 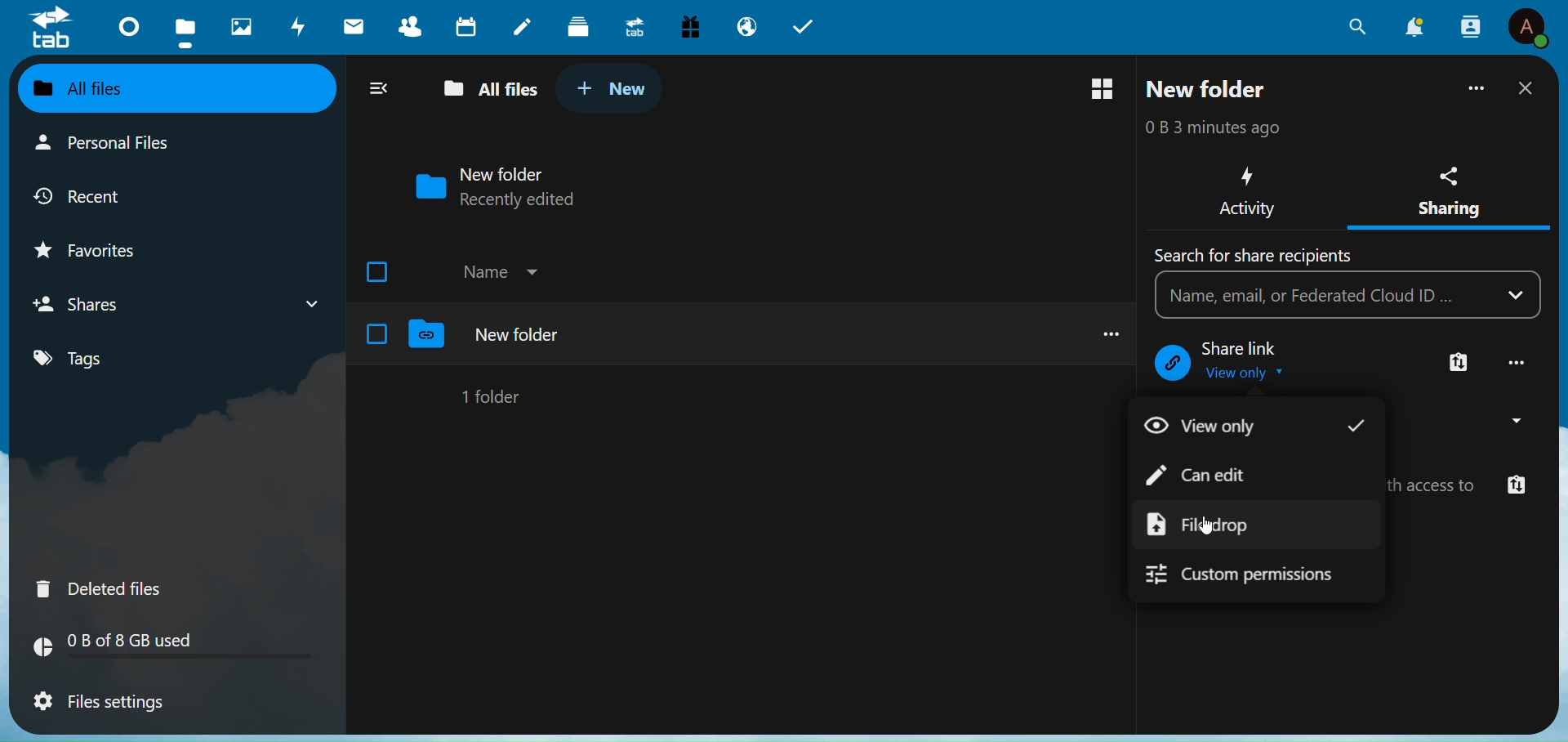 I want to click on Bytes, so click(x=1155, y=127).